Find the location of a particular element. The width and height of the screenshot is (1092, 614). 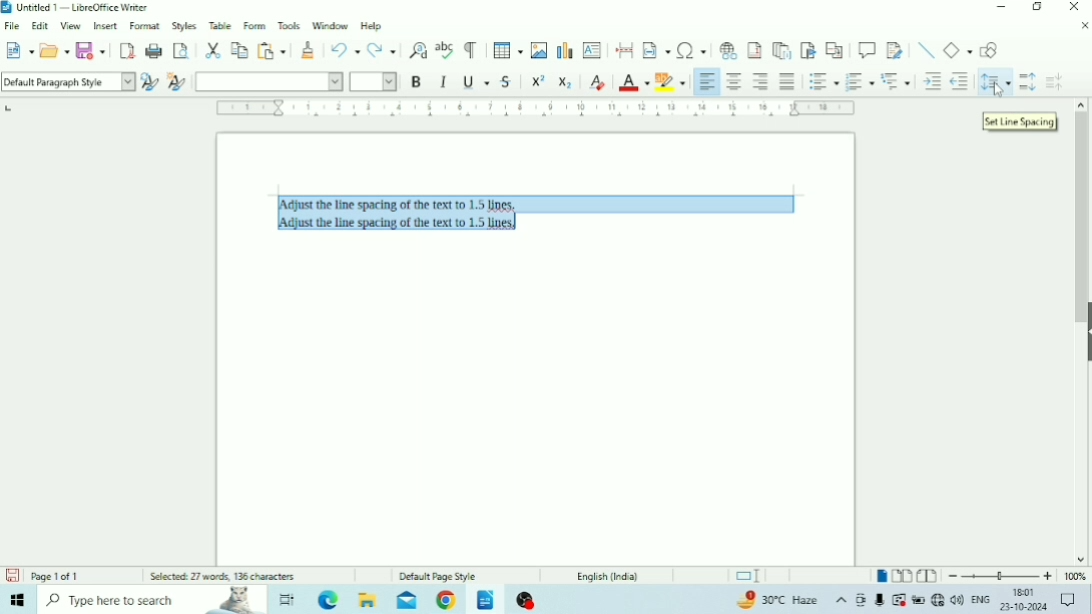

Insert Comment is located at coordinates (867, 50).